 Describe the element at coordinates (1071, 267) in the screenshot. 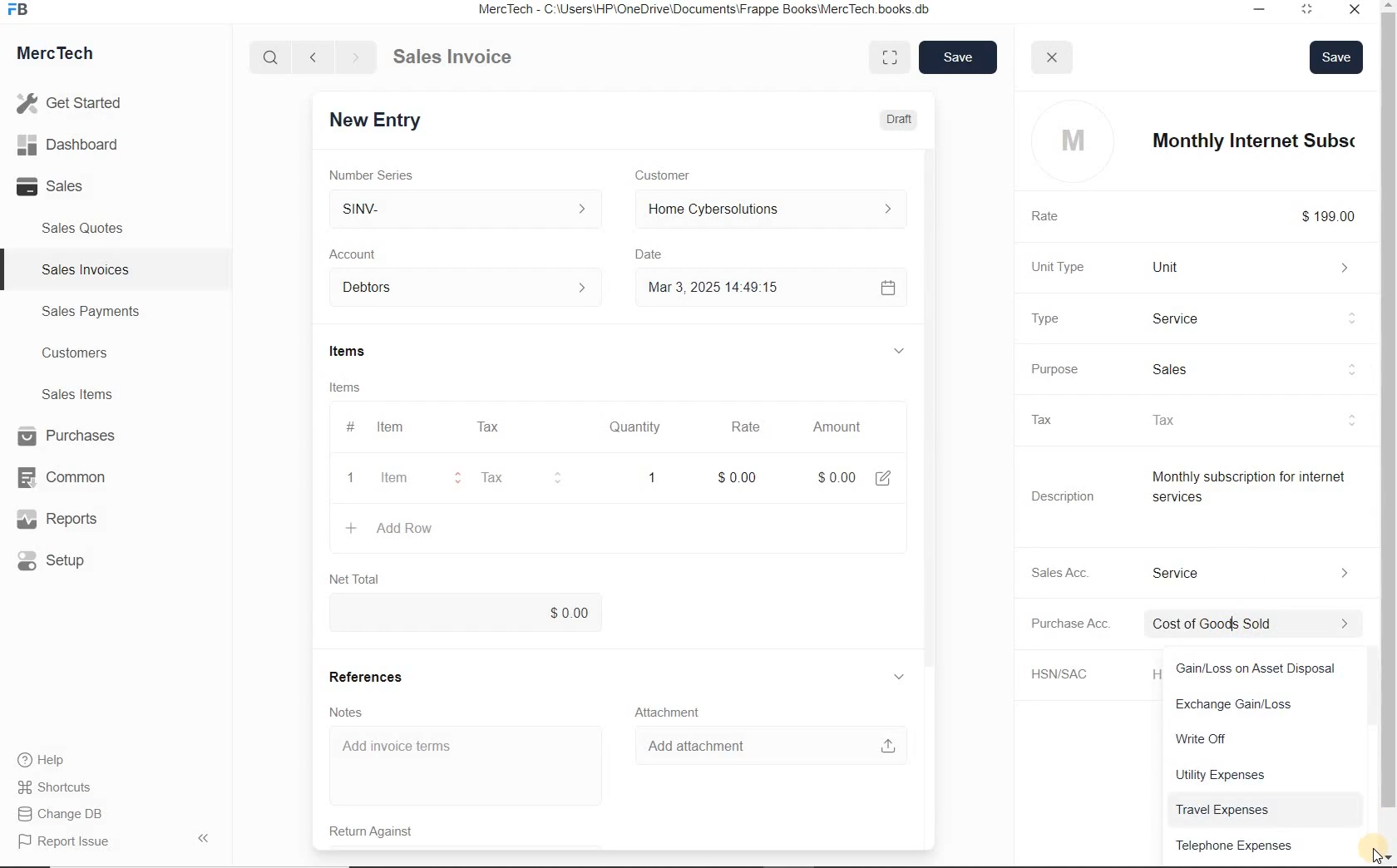

I see `Unit Type` at that location.